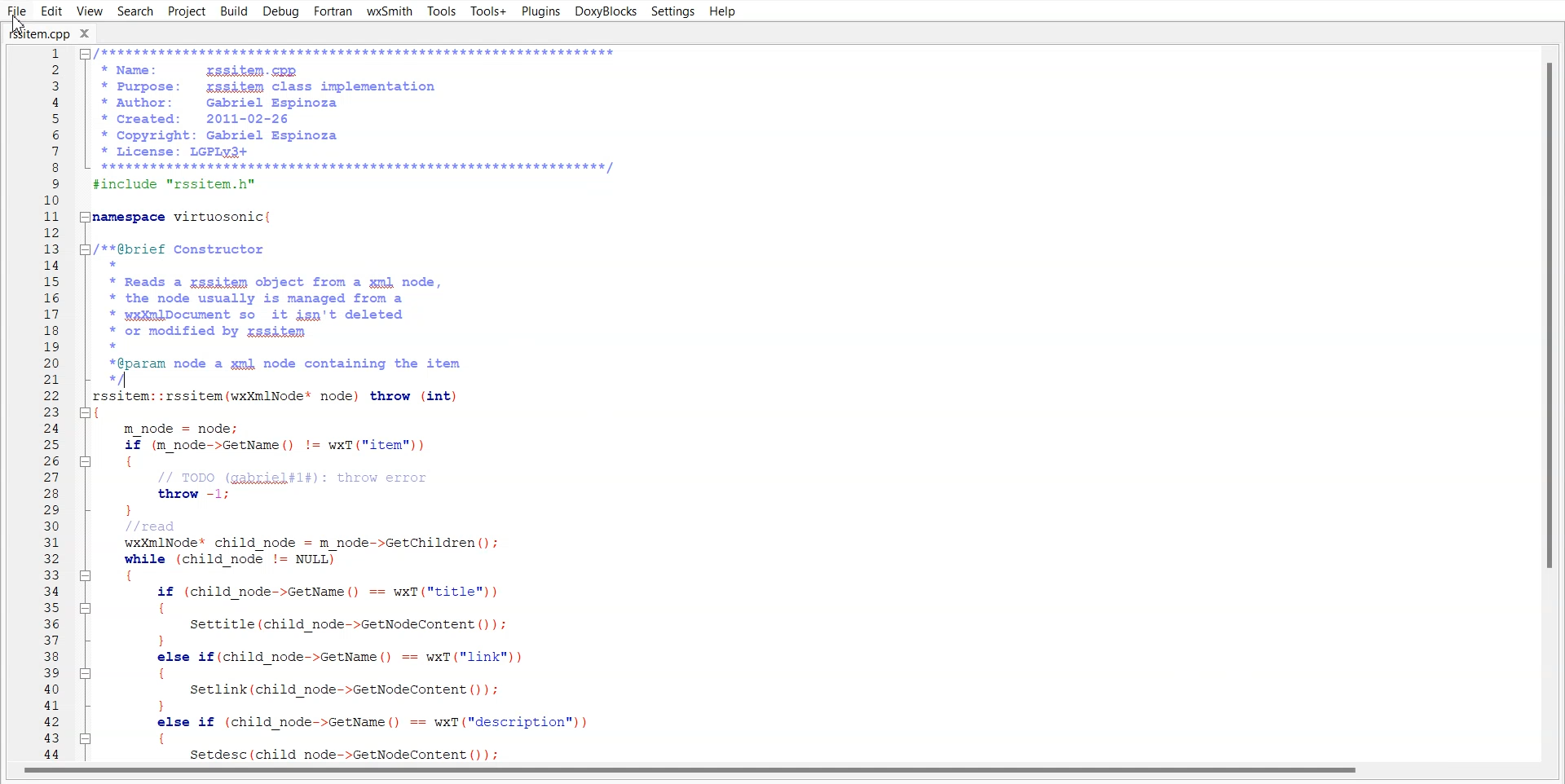  What do you see at coordinates (1544, 400) in the screenshot?
I see `Vertical scroll bar` at bounding box center [1544, 400].